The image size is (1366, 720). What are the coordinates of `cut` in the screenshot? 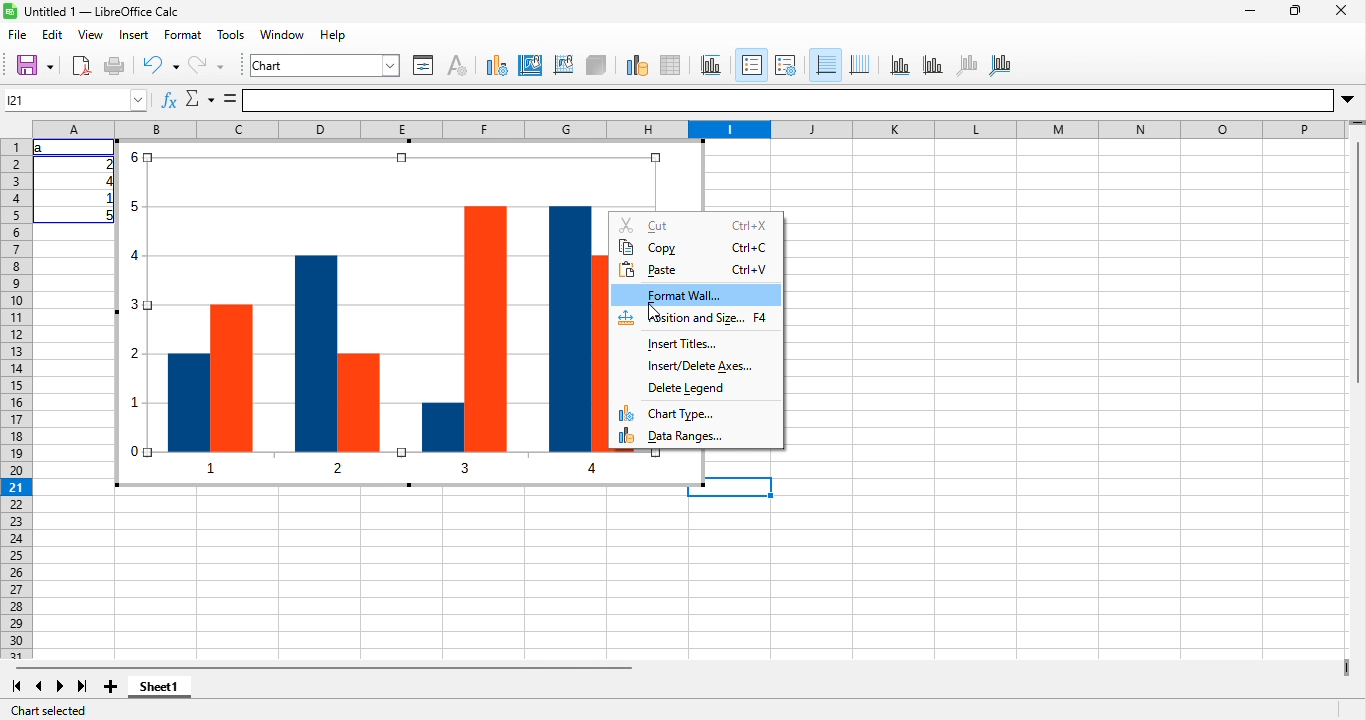 It's located at (696, 225).